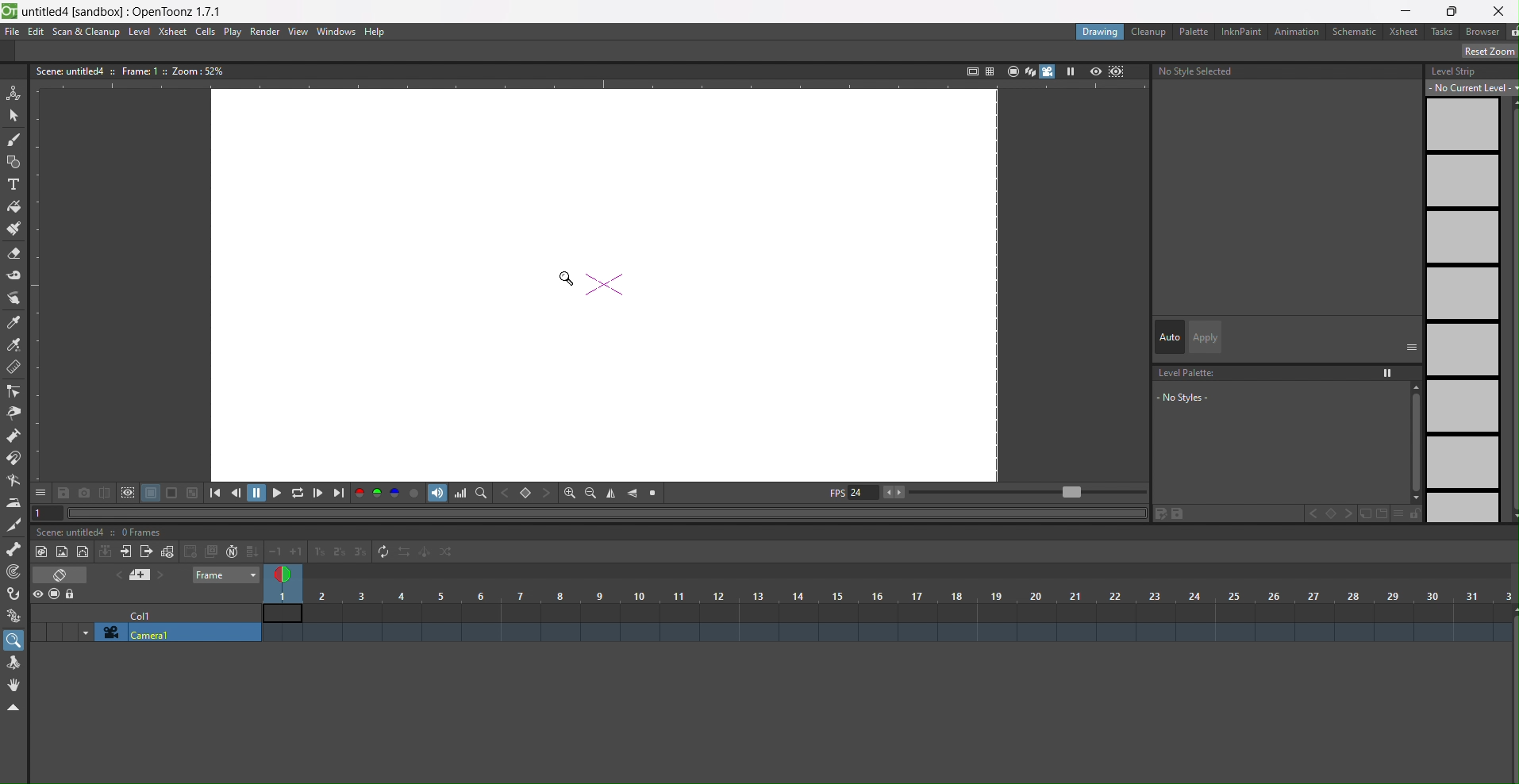  Describe the element at coordinates (223, 575) in the screenshot. I see `frame` at that location.